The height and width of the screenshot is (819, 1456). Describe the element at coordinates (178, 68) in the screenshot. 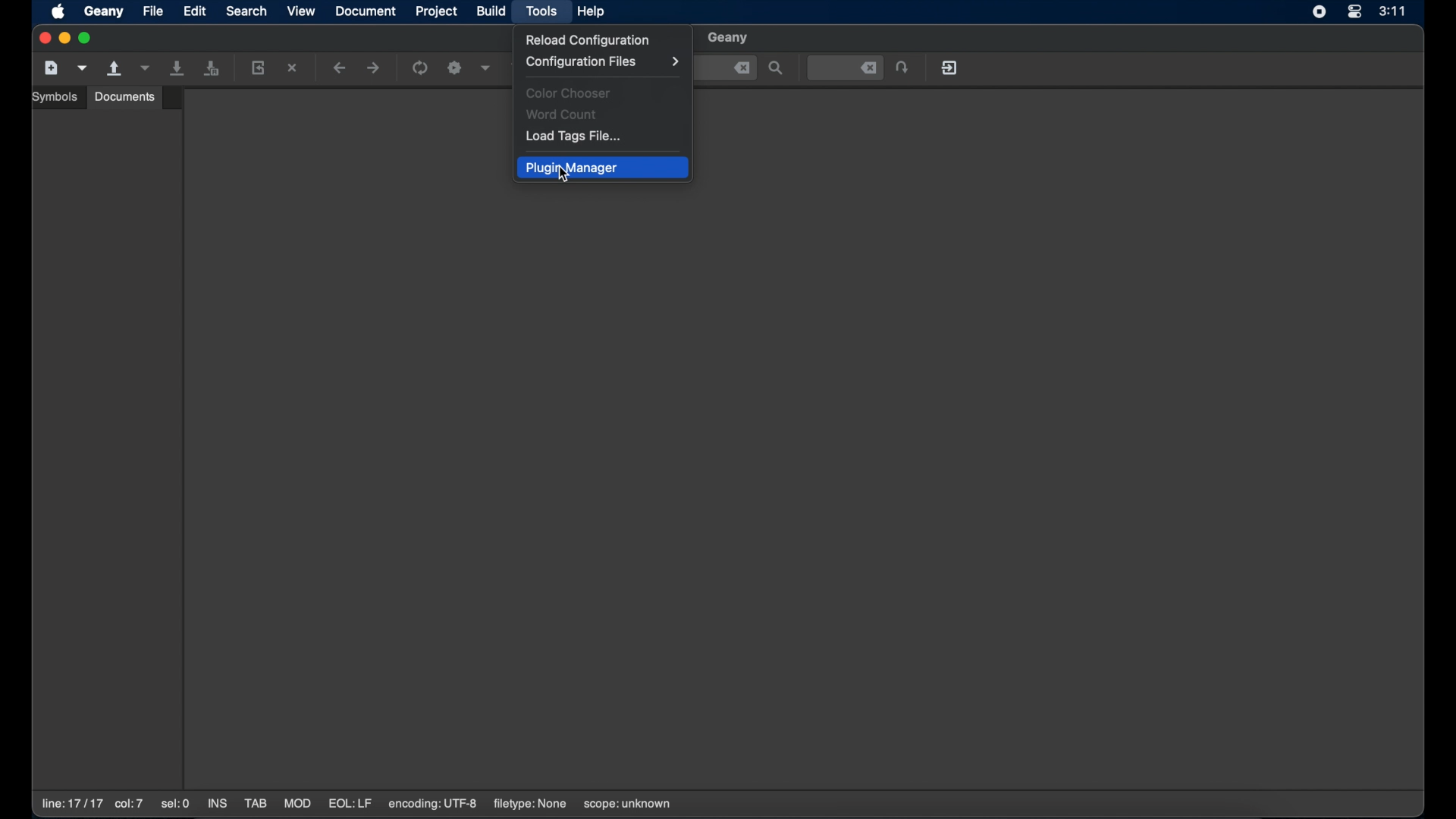

I see `save all current file` at that location.